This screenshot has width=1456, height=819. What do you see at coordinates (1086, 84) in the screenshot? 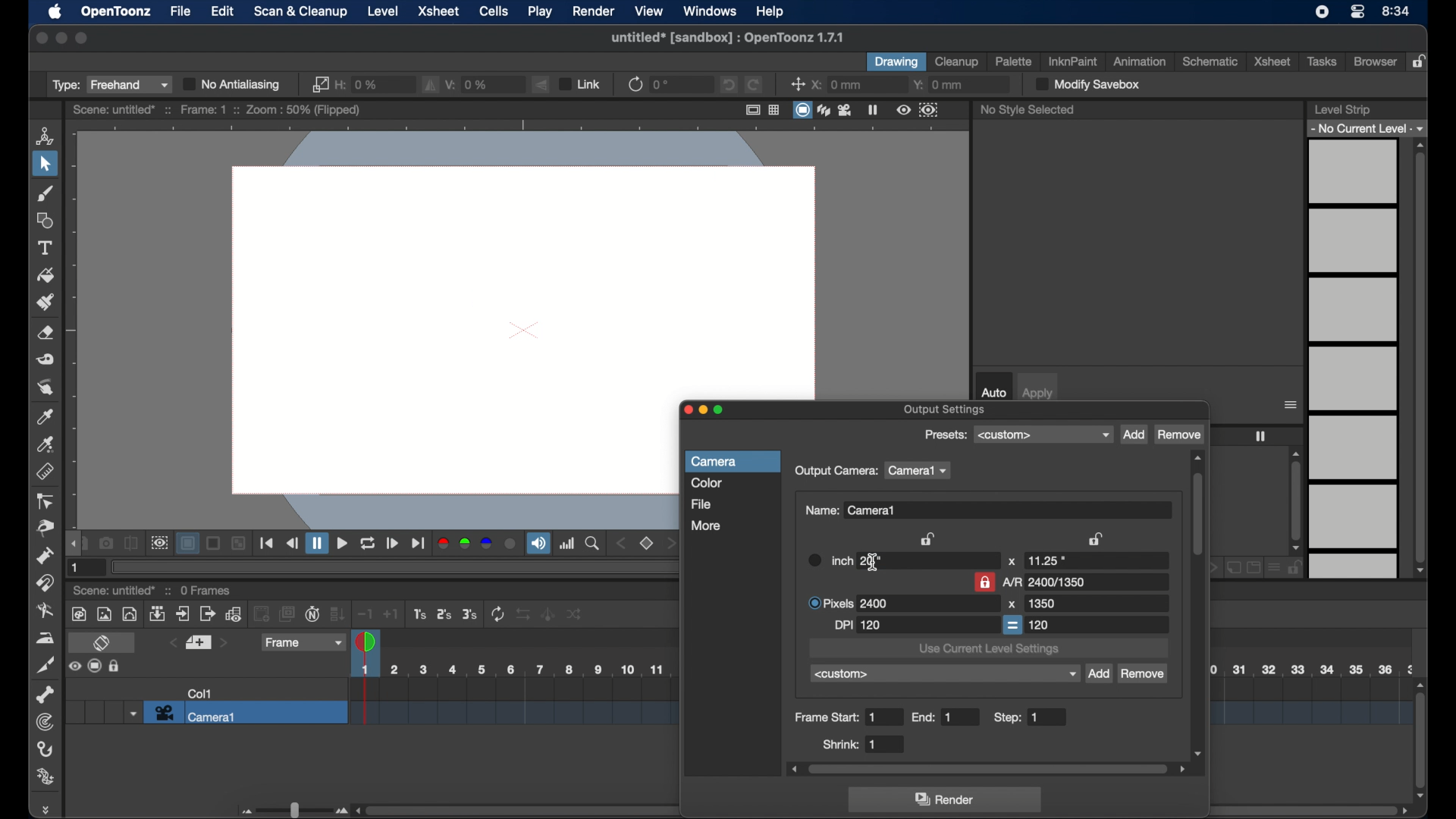
I see `modify save box` at bounding box center [1086, 84].